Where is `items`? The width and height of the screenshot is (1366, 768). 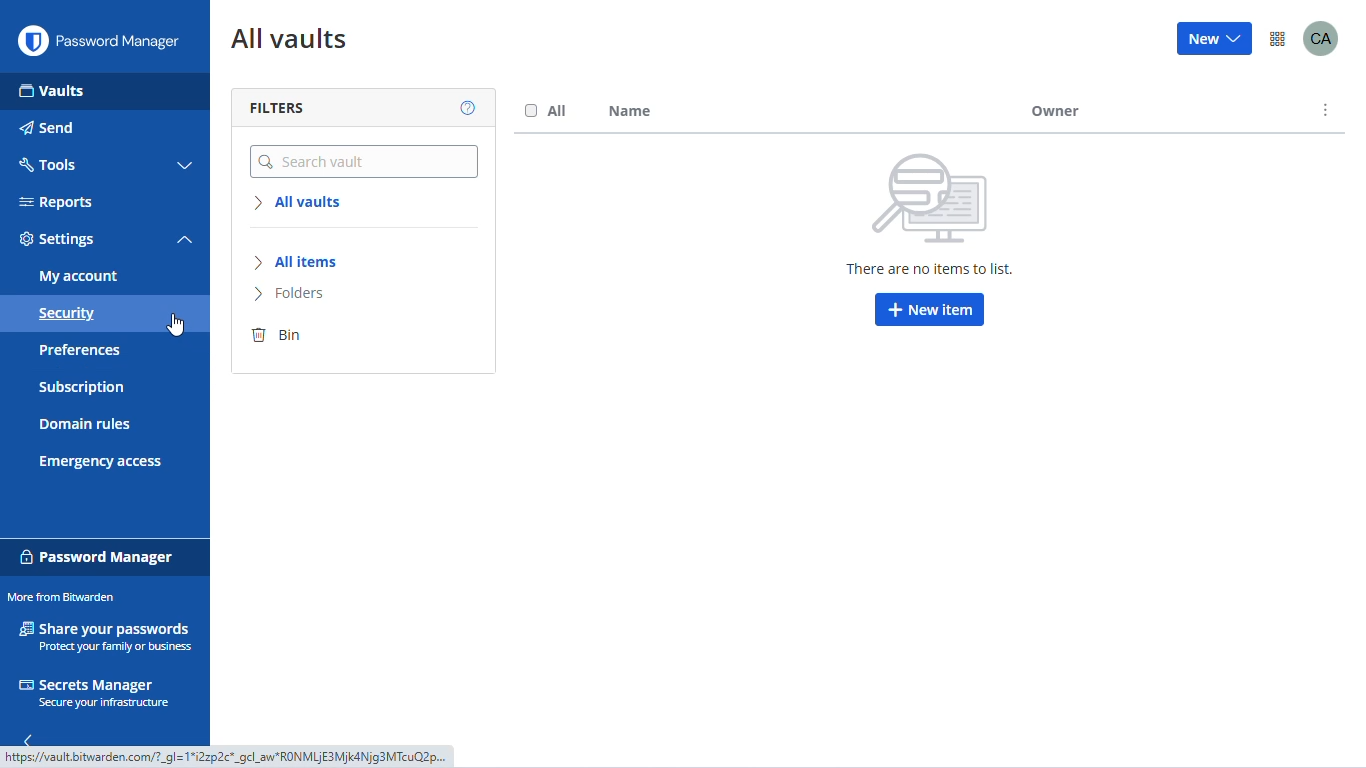
items is located at coordinates (942, 195).